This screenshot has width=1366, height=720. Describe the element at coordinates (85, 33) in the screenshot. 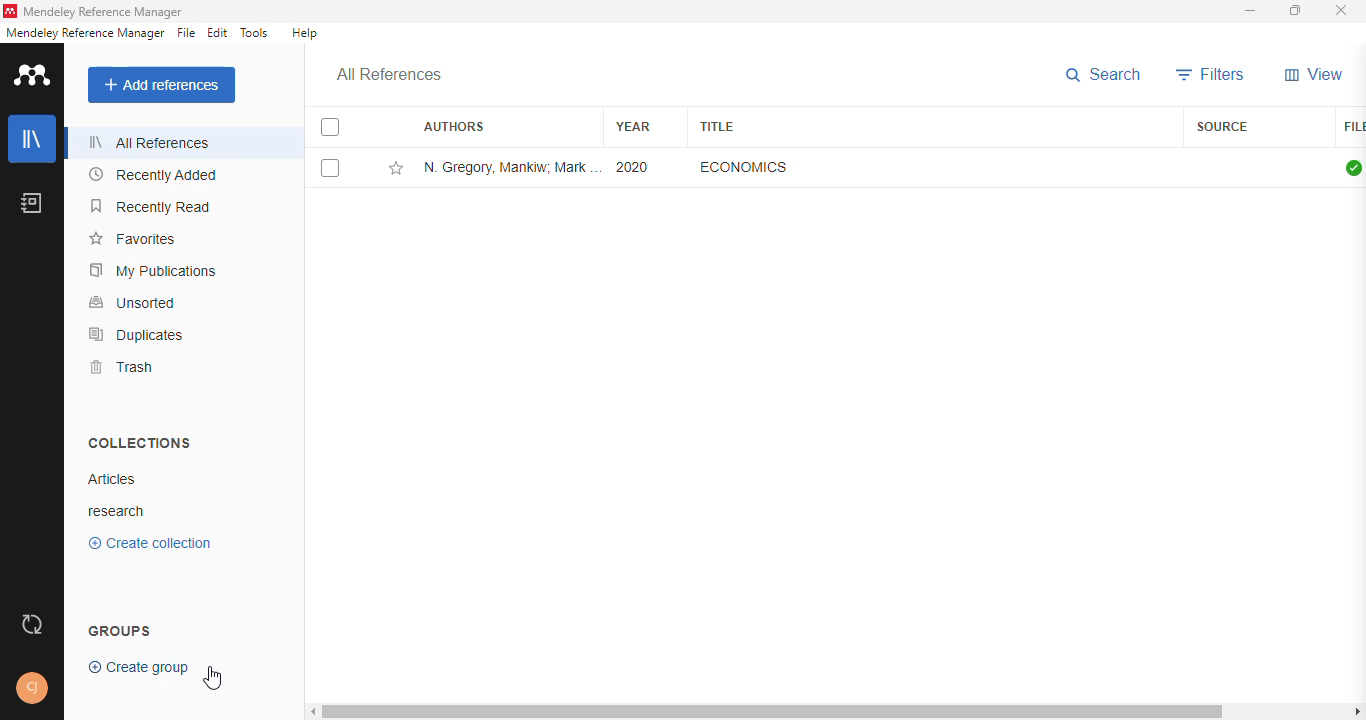

I see `mendeley reference manager` at that location.